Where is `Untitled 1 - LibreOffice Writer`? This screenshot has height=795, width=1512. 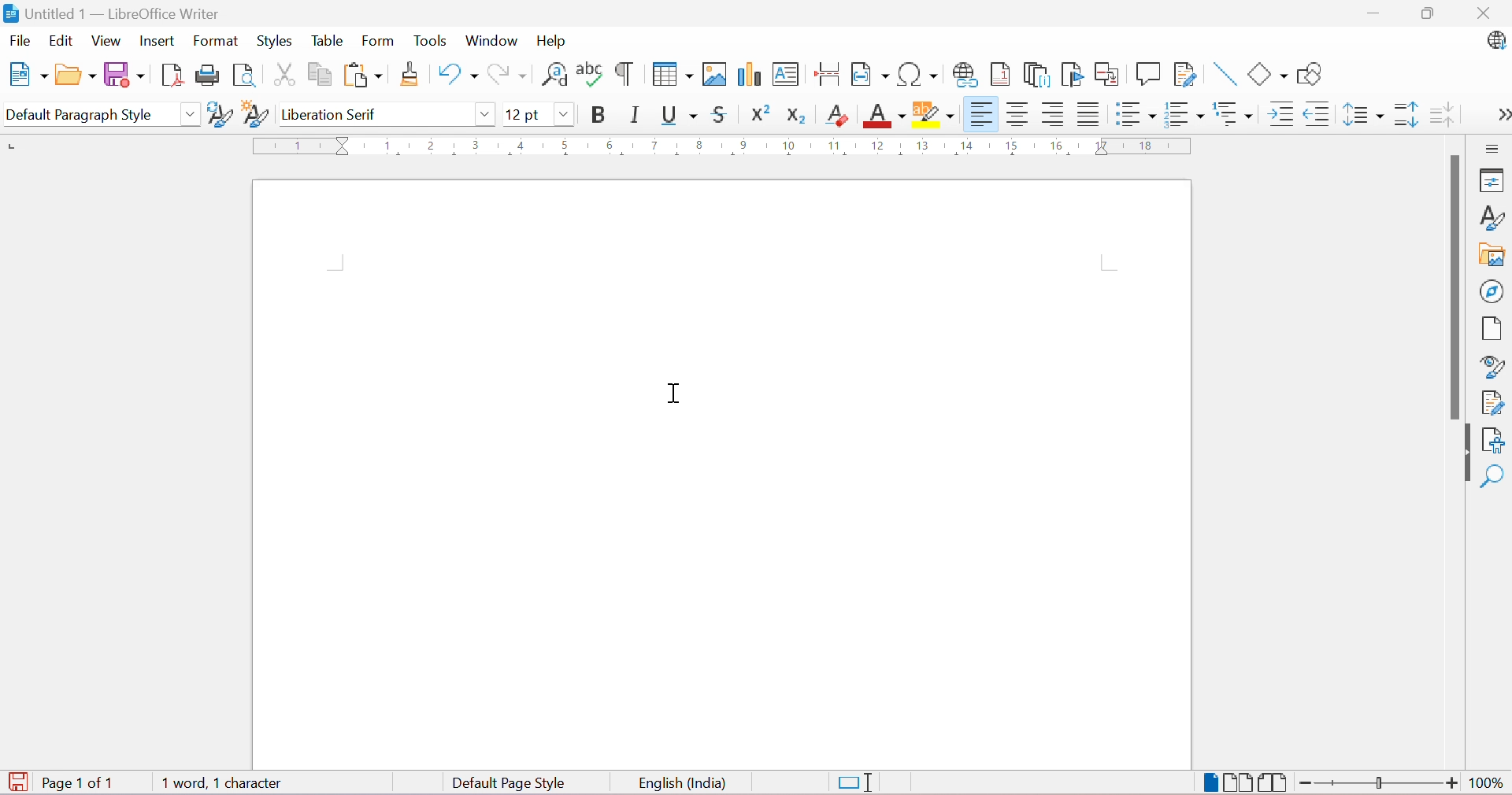 Untitled 1 - LibreOffice Writer is located at coordinates (110, 13).